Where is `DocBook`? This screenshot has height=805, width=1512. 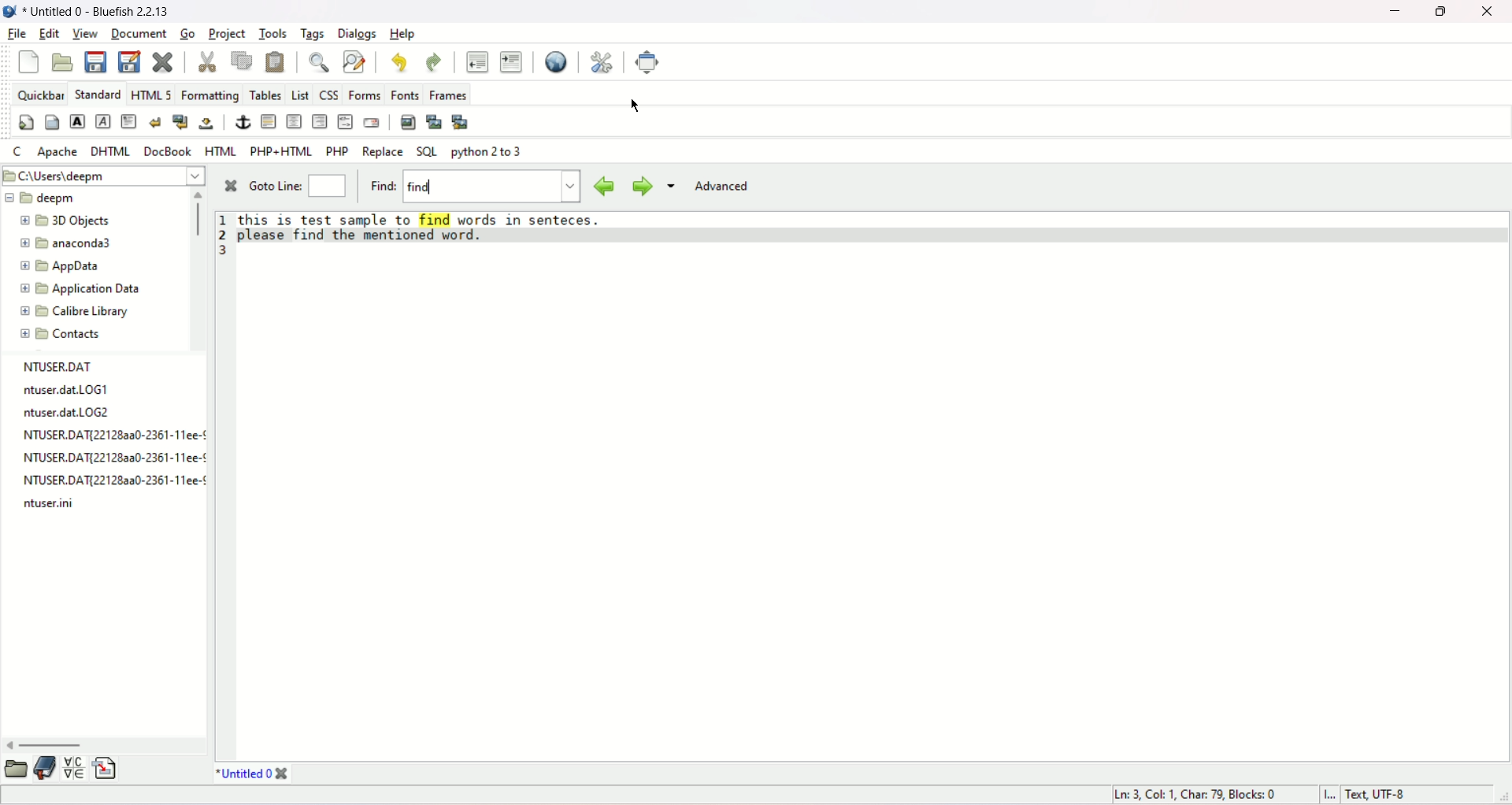 DocBook is located at coordinates (169, 153).